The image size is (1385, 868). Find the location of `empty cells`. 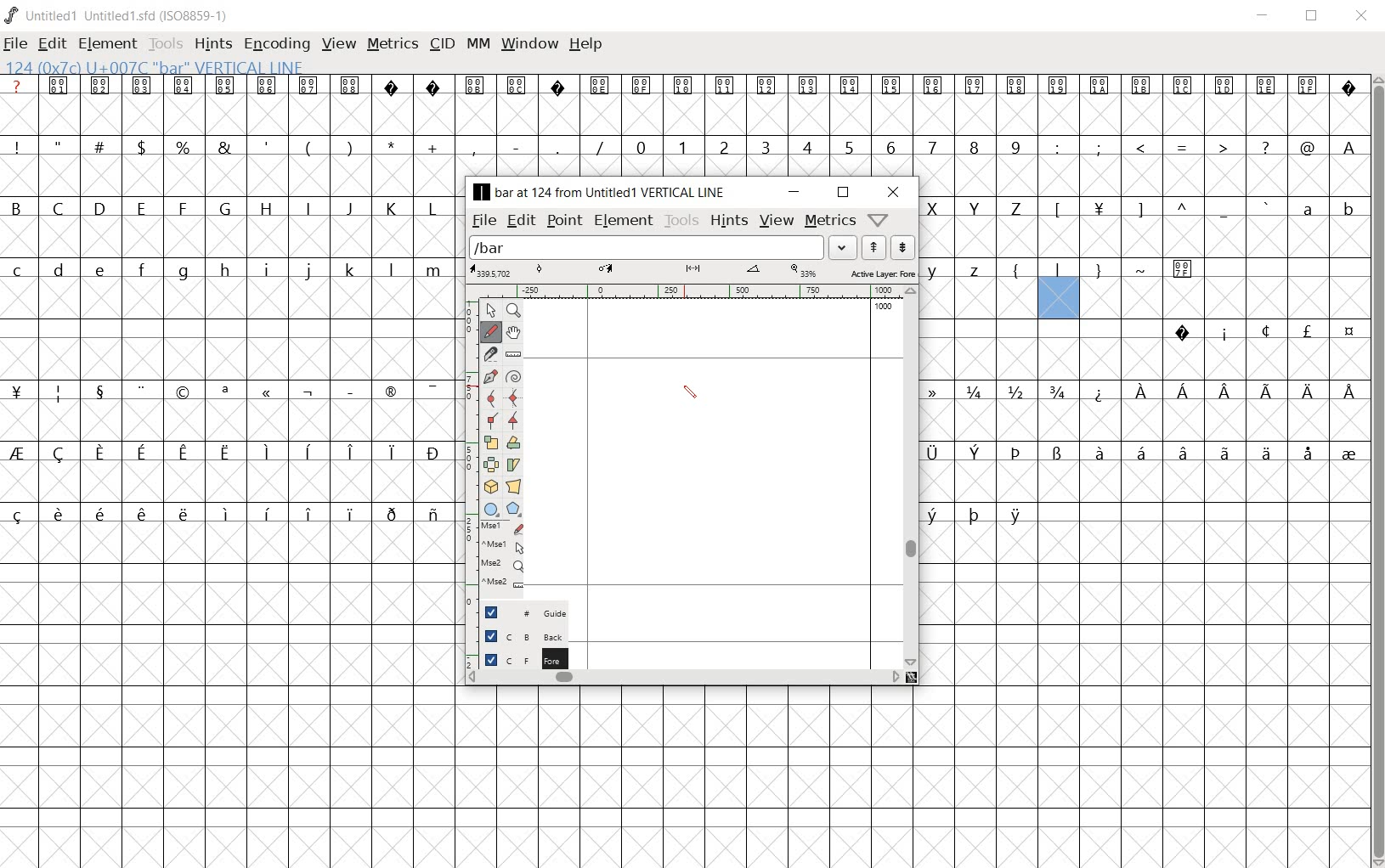

empty cells is located at coordinates (229, 238).